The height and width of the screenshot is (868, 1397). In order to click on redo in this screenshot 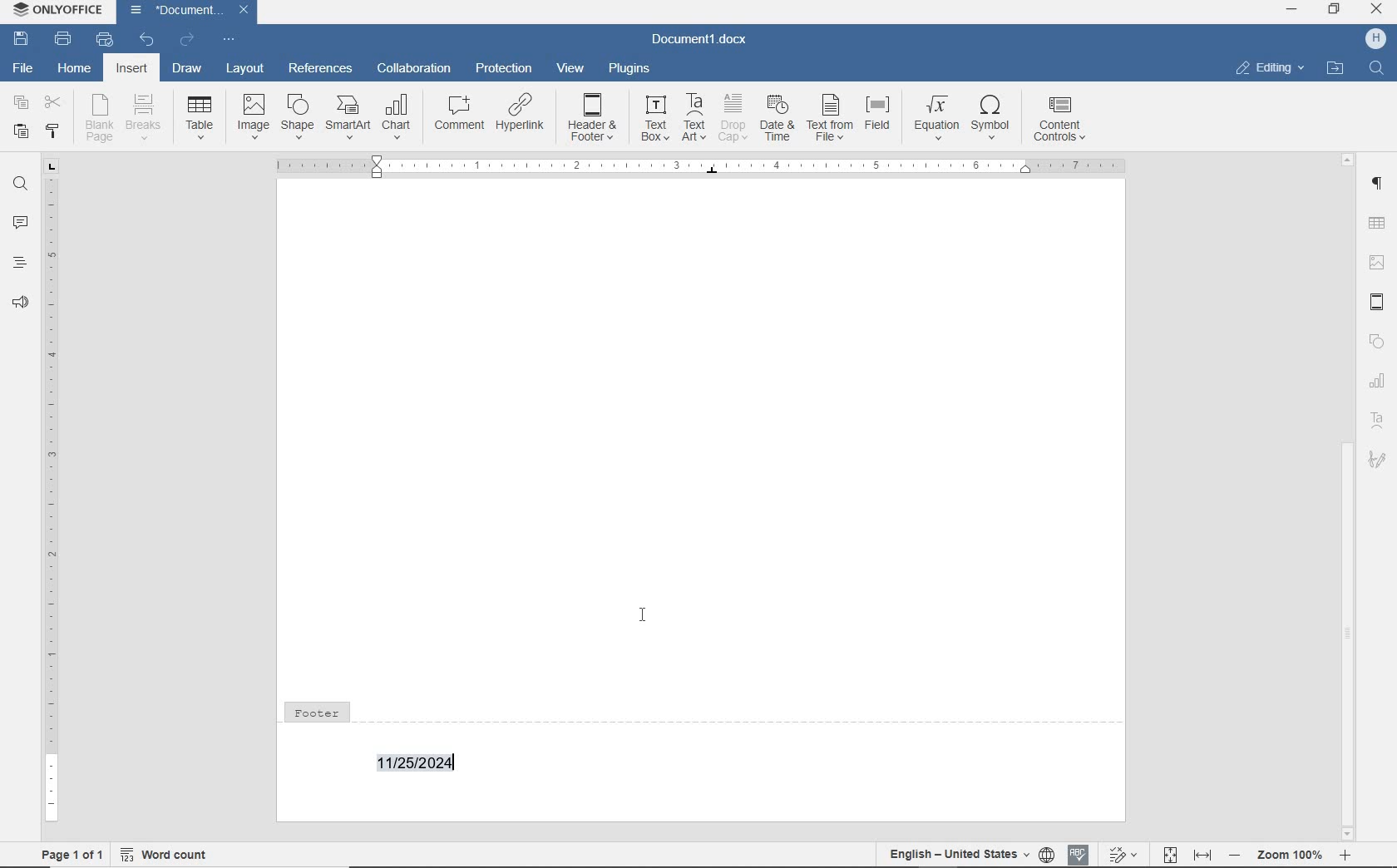, I will do `click(188, 40)`.